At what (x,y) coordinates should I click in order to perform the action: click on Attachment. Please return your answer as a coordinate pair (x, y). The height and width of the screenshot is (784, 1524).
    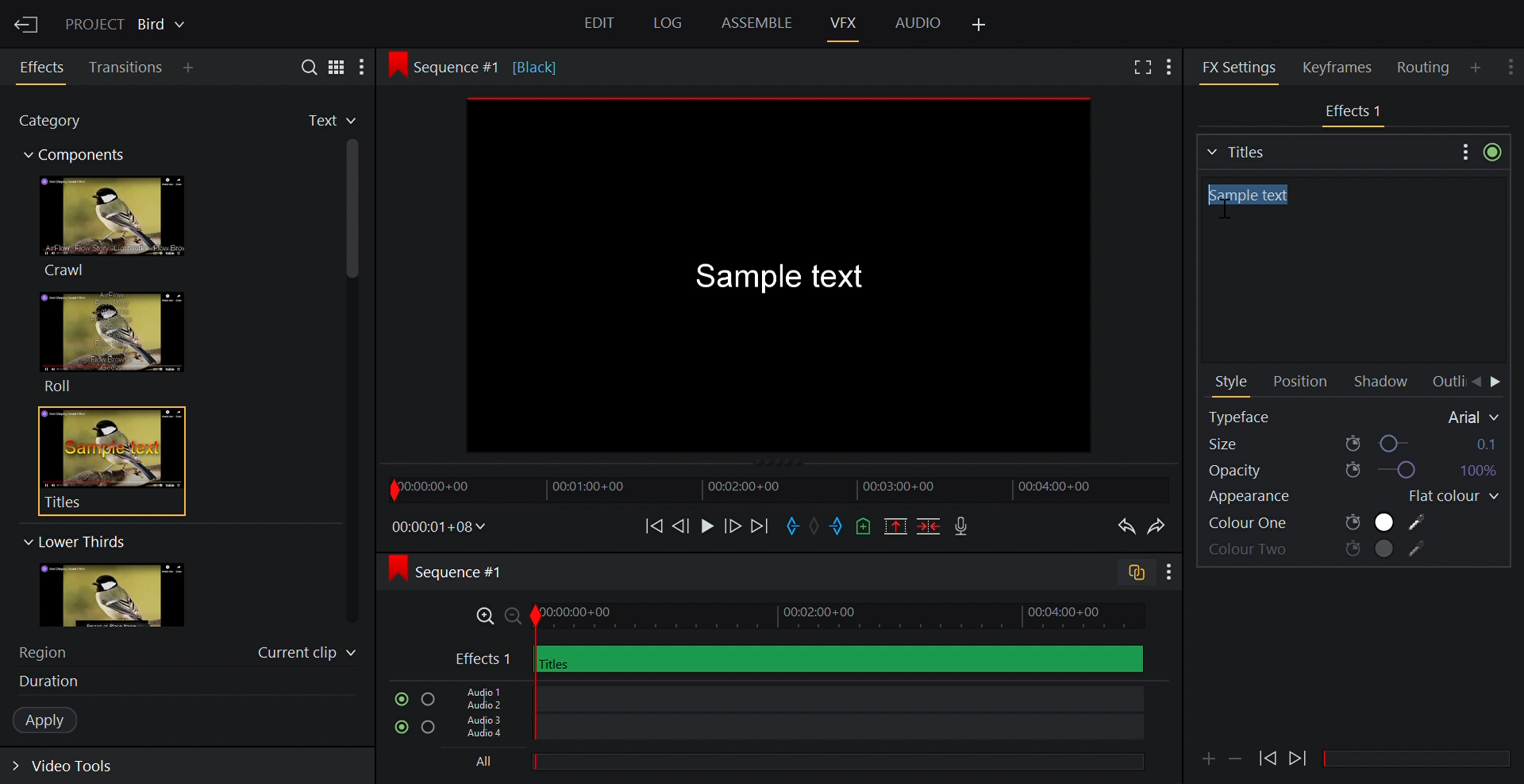
    Looking at the image, I should click on (1208, 759).